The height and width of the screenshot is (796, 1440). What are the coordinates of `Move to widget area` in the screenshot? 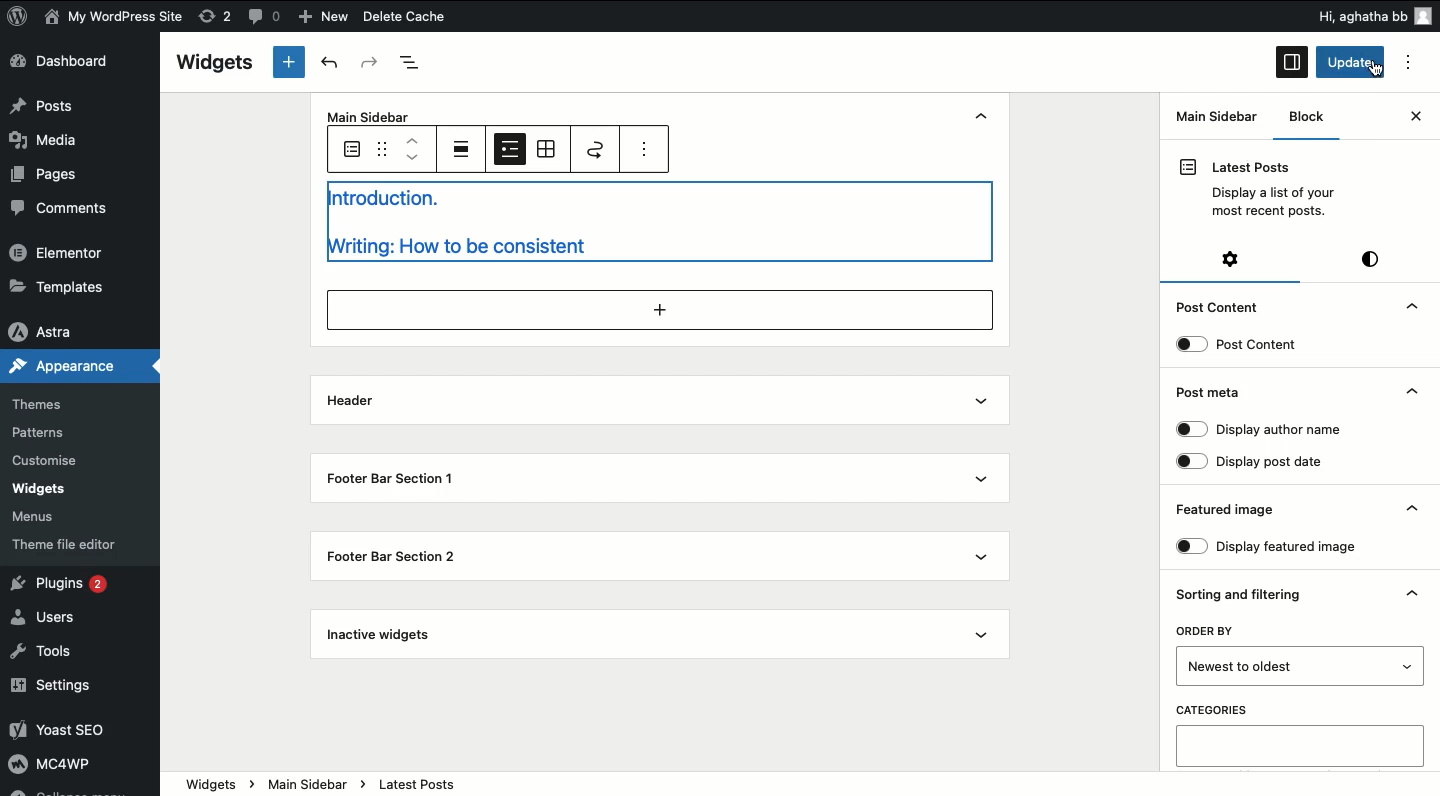 It's located at (598, 147).